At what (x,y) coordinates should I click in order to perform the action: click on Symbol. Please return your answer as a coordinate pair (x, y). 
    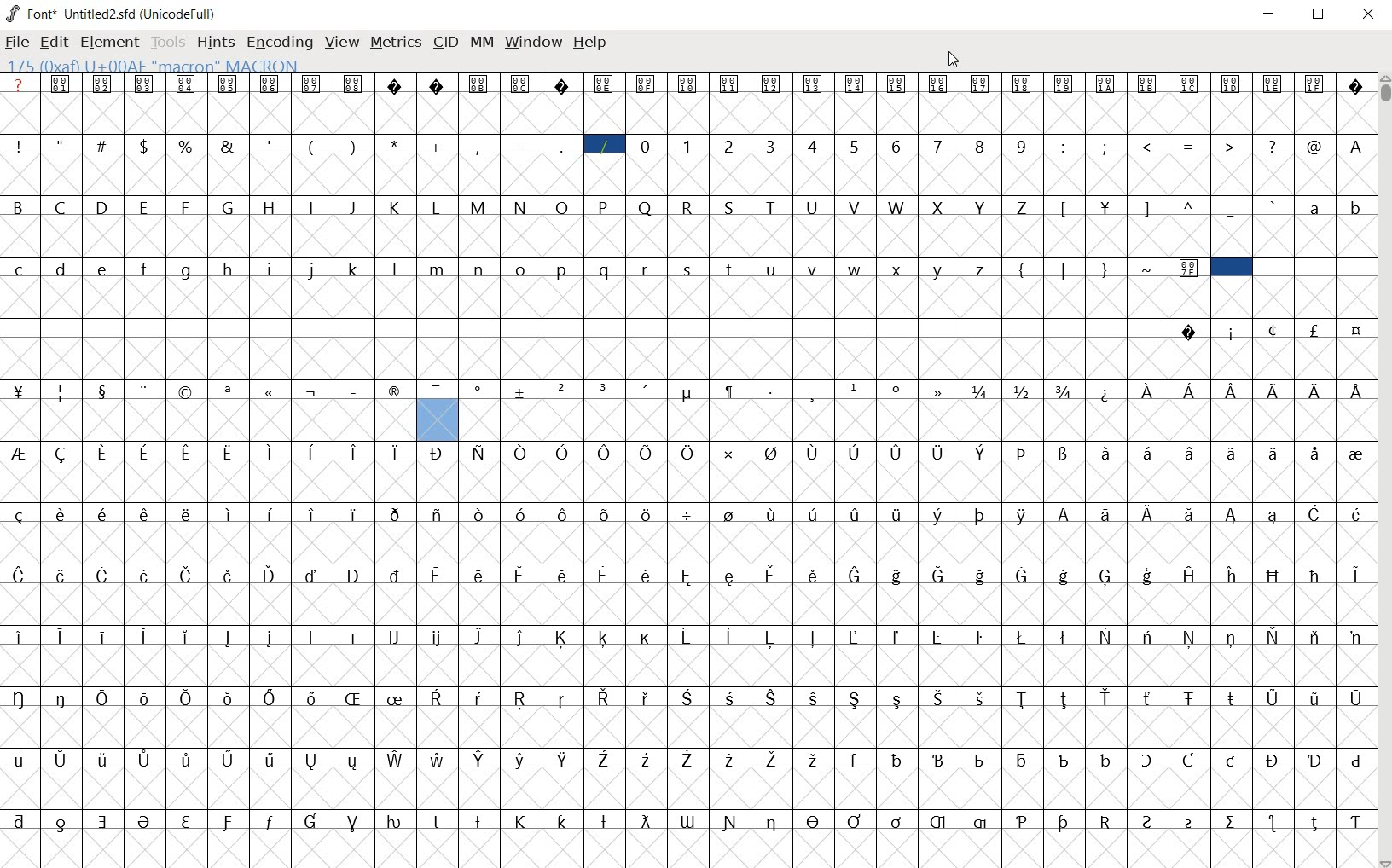
    Looking at the image, I should click on (1064, 85).